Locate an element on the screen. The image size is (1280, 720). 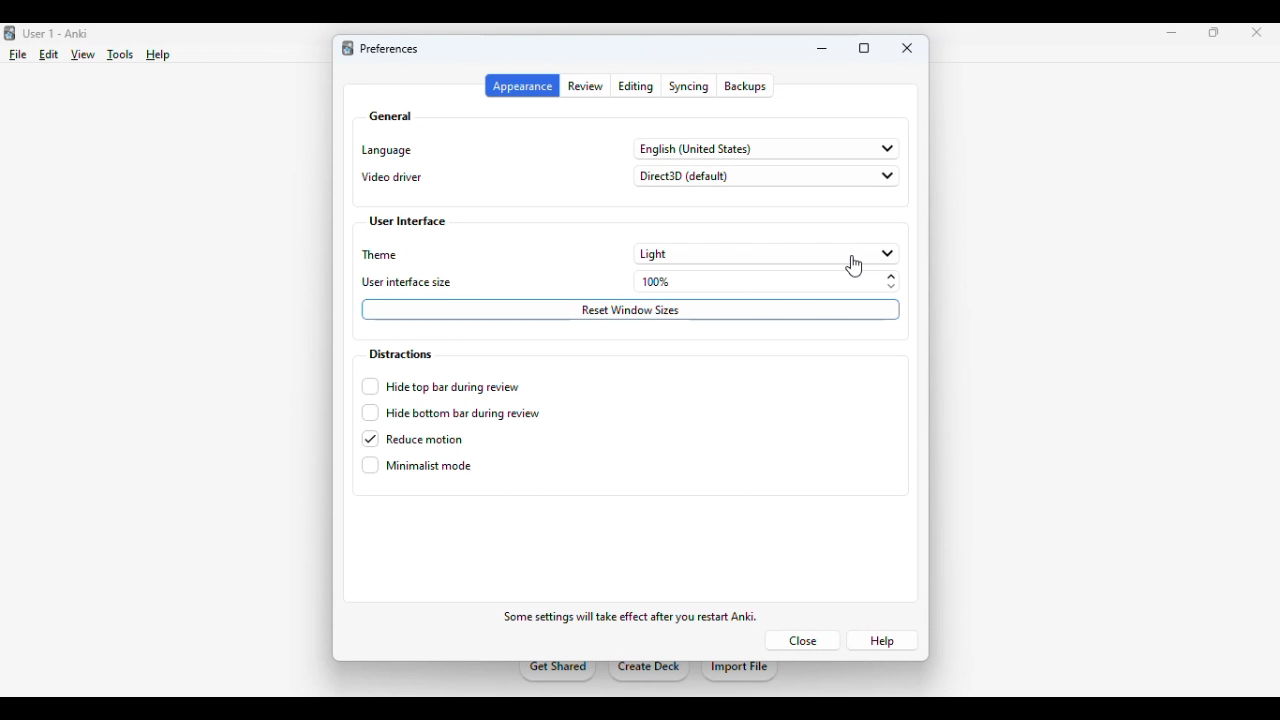
general is located at coordinates (390, 116).